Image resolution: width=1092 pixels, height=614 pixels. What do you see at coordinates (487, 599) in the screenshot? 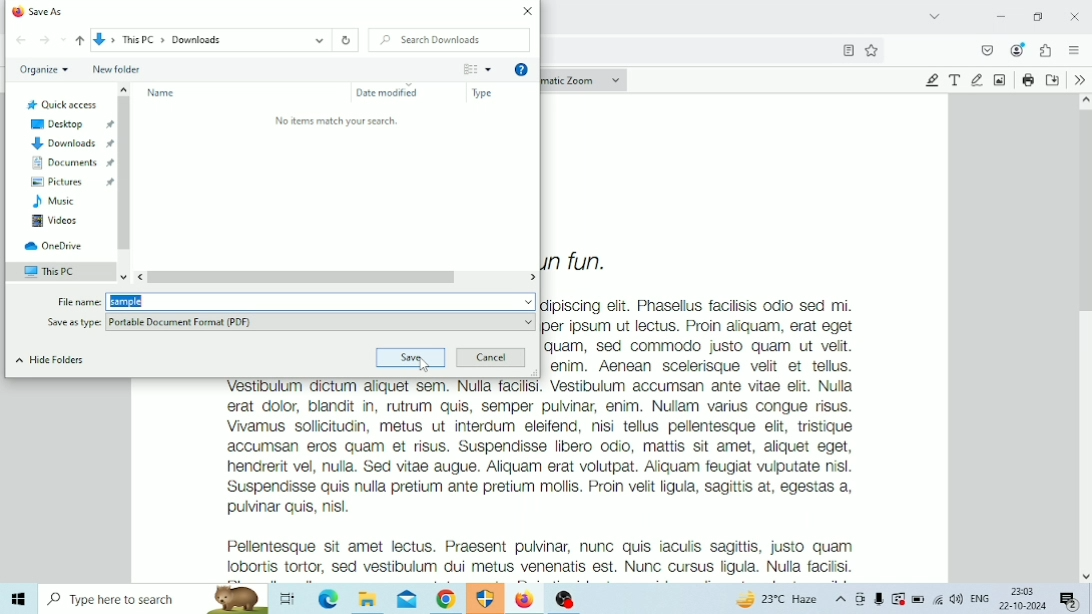
I see `Windows Defender` at bounding box center [487, 599].